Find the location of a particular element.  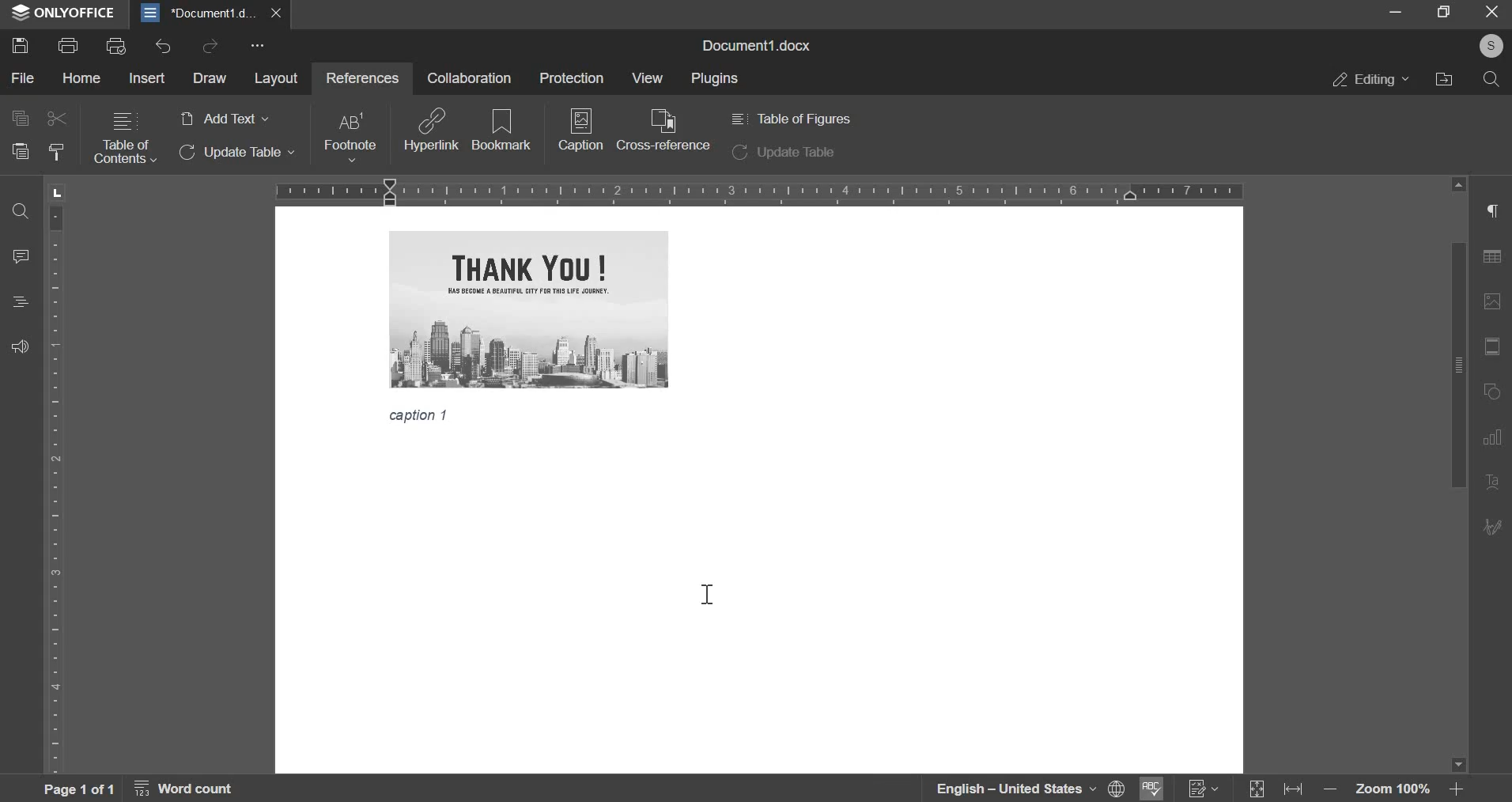

table of contents is located at coordinates (125, 138).